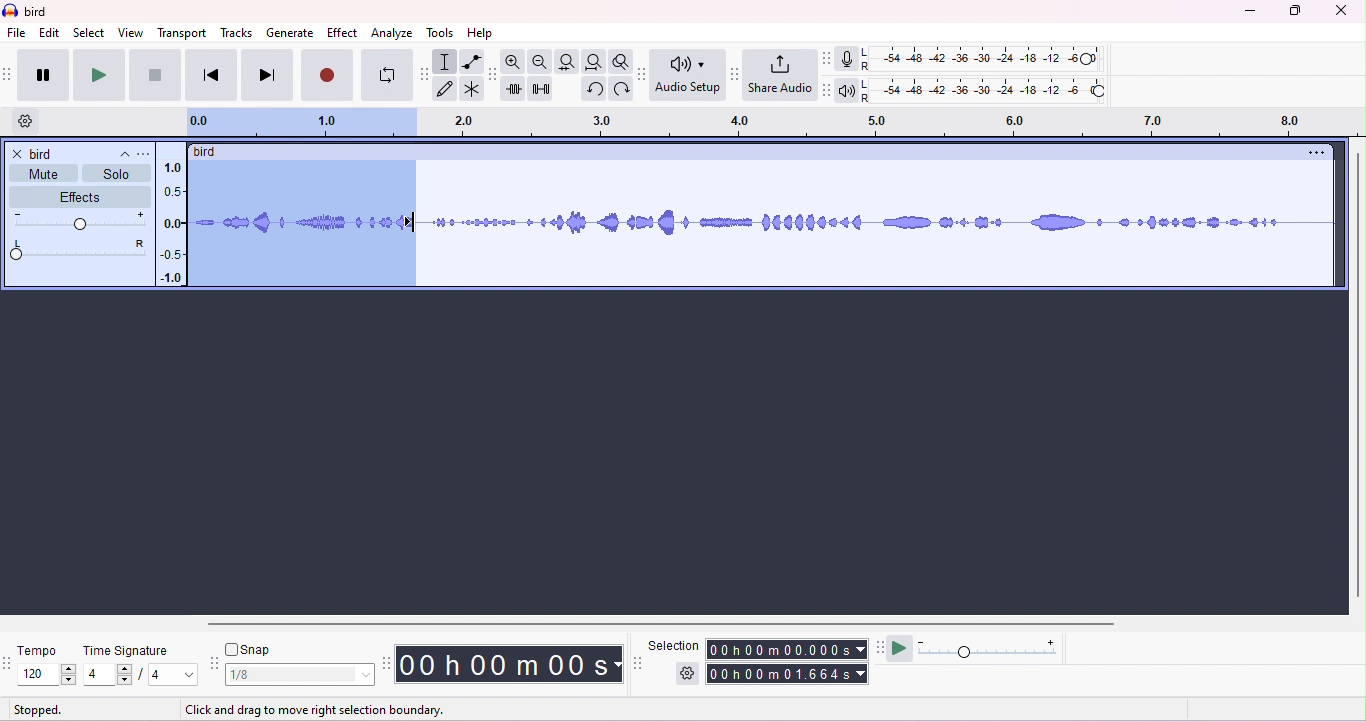 Image resolution: width=1366 pixels, height=722 pixels. What do you see at coordinates (493, 75) in the screenshot?
I see `edit tool bar` at bounding box center [493, 75].